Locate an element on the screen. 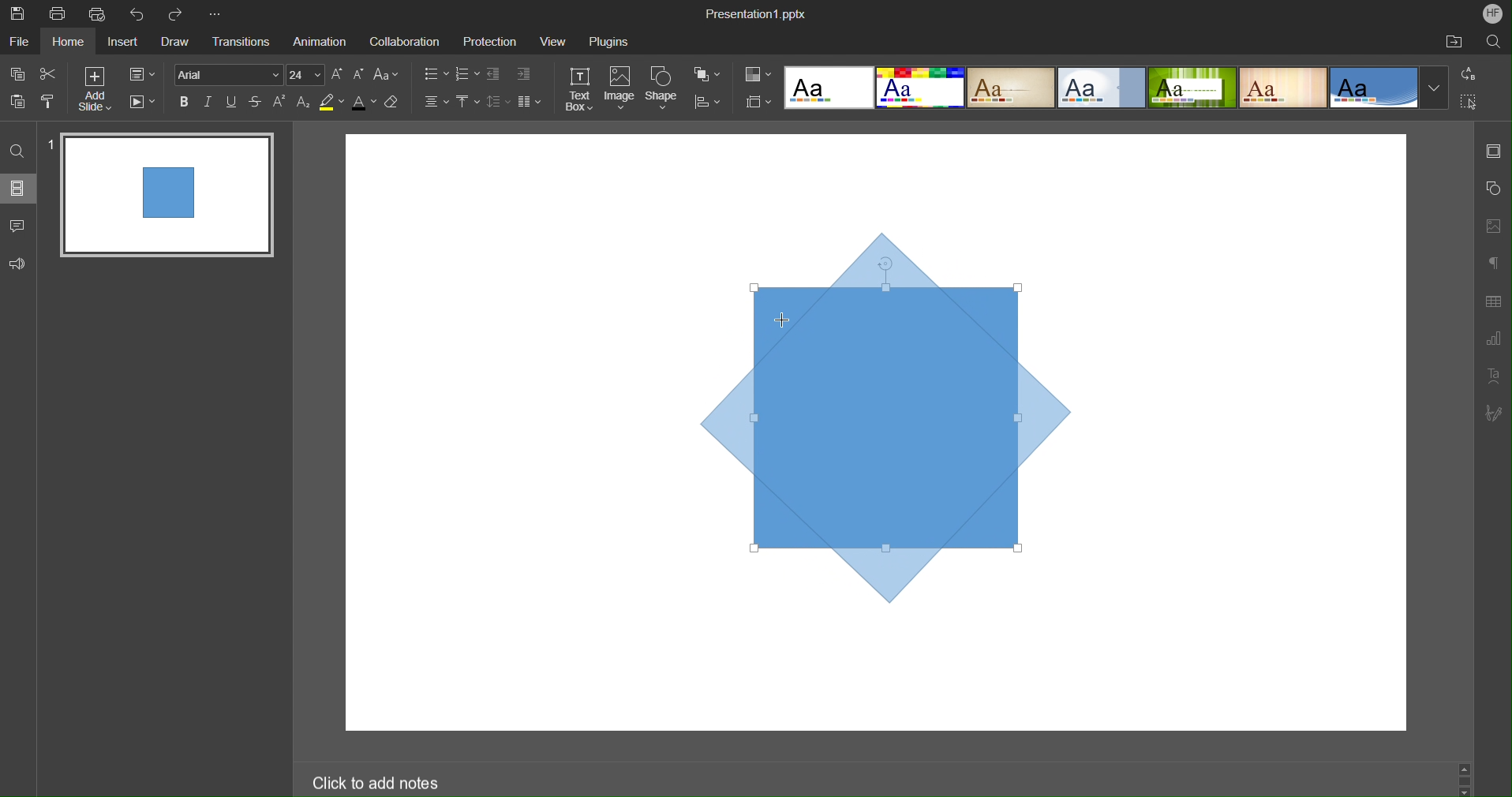 The height and width of the screenshot is (797, 1512). Colors is located at coordinates (757, 73).